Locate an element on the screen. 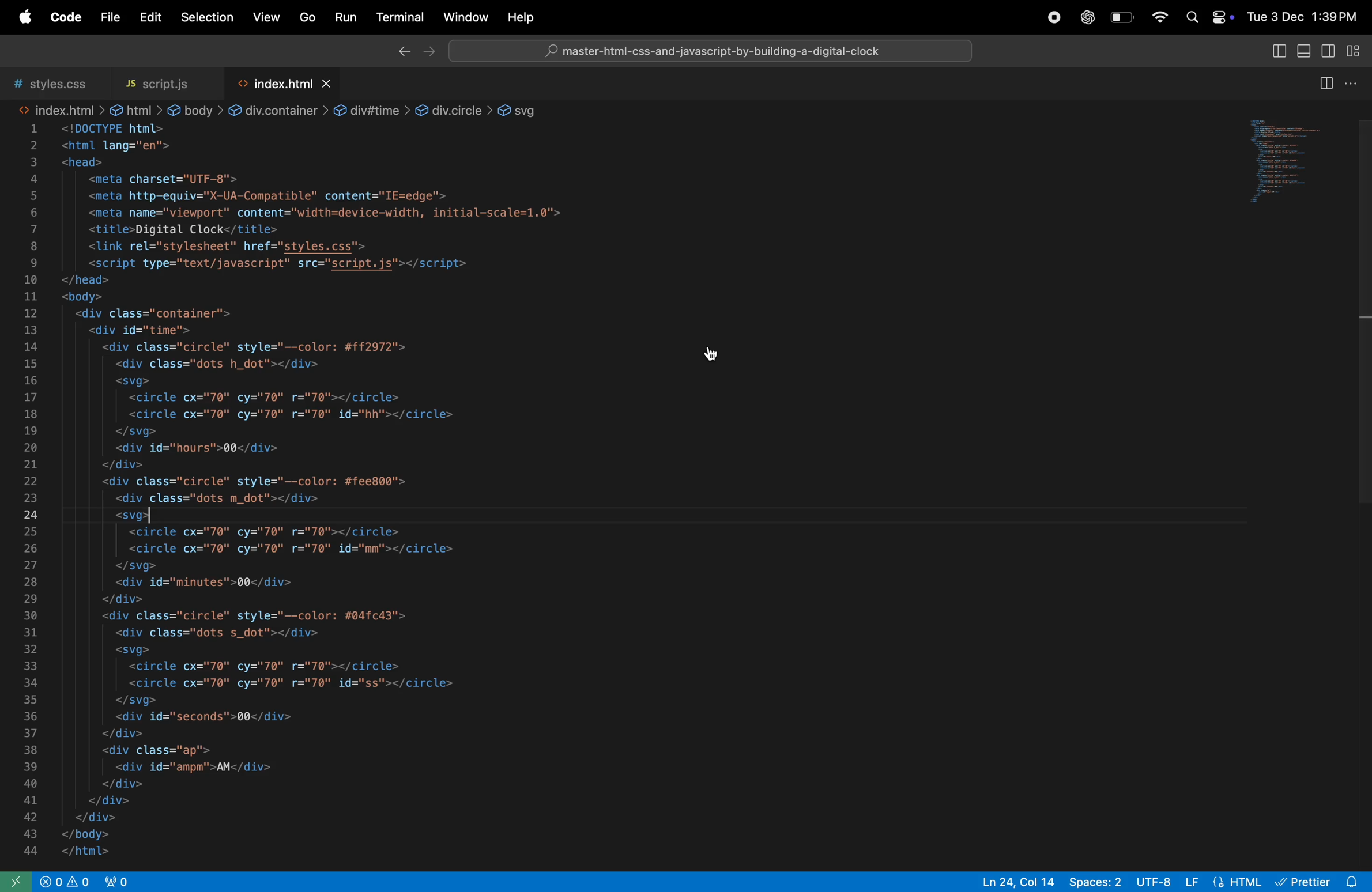  go forward is located at coordinates (432, 52).